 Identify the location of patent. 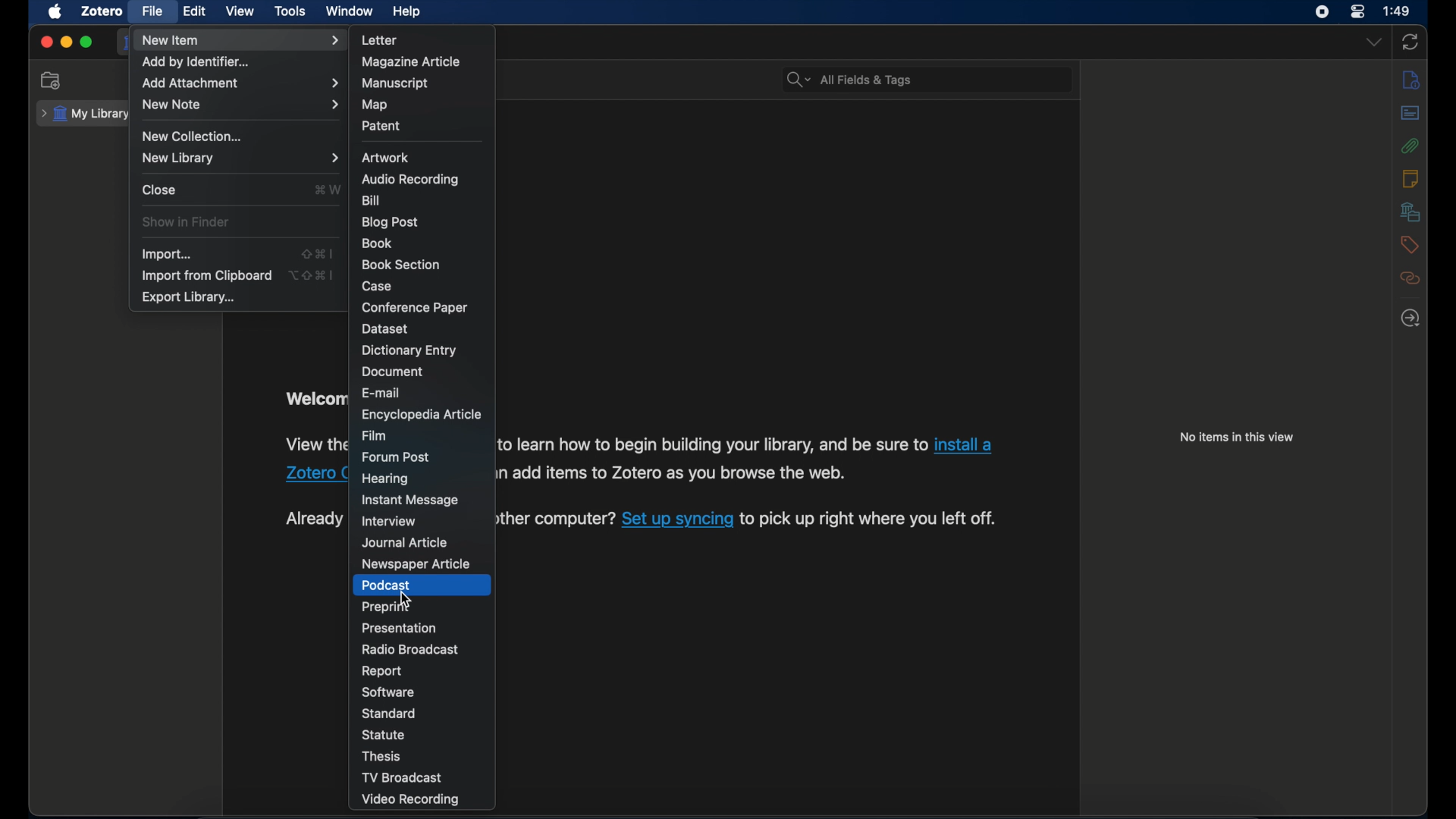
(382, 126).